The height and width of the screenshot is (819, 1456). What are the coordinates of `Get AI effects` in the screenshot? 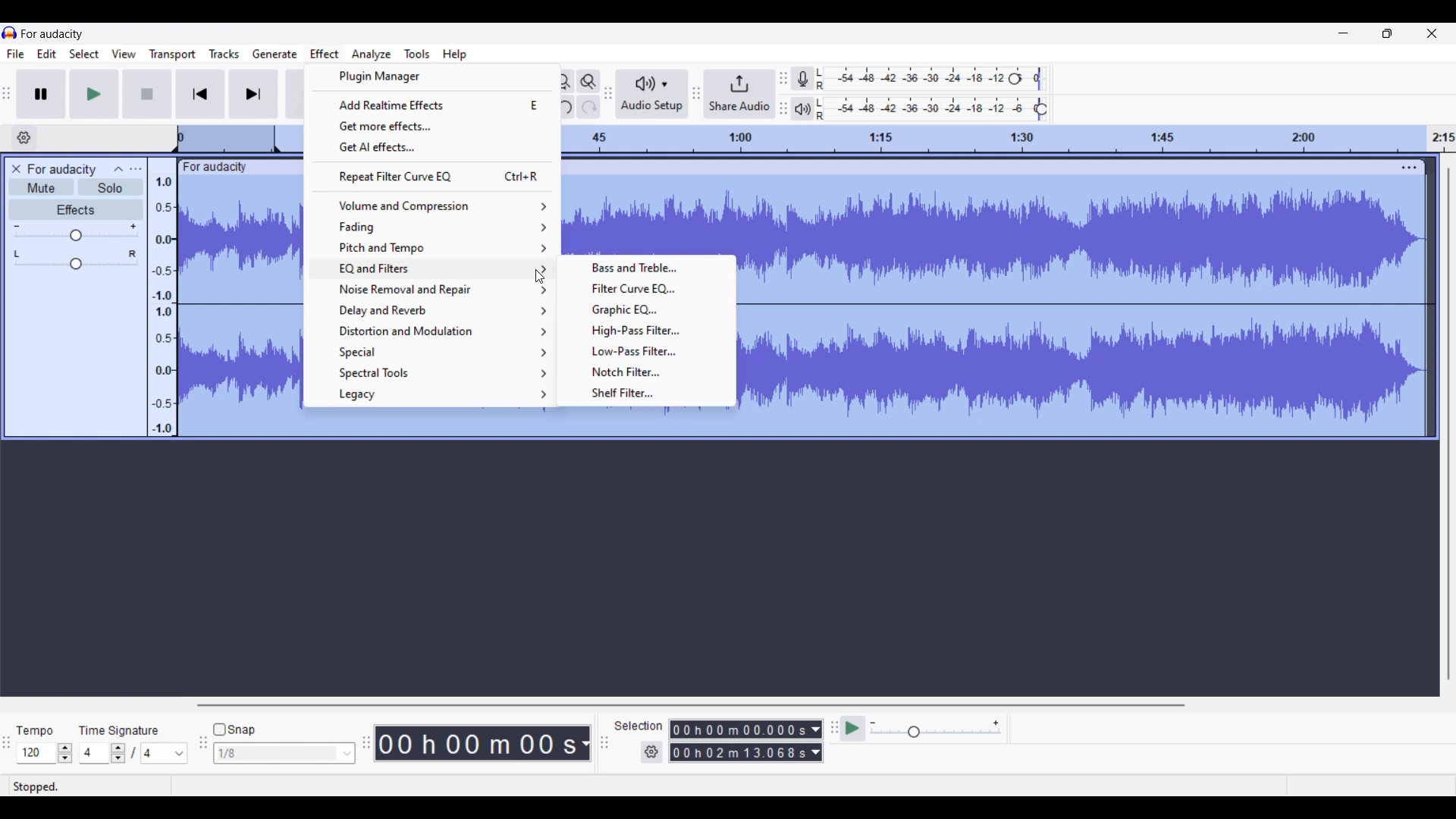 It's located at (432, 148).